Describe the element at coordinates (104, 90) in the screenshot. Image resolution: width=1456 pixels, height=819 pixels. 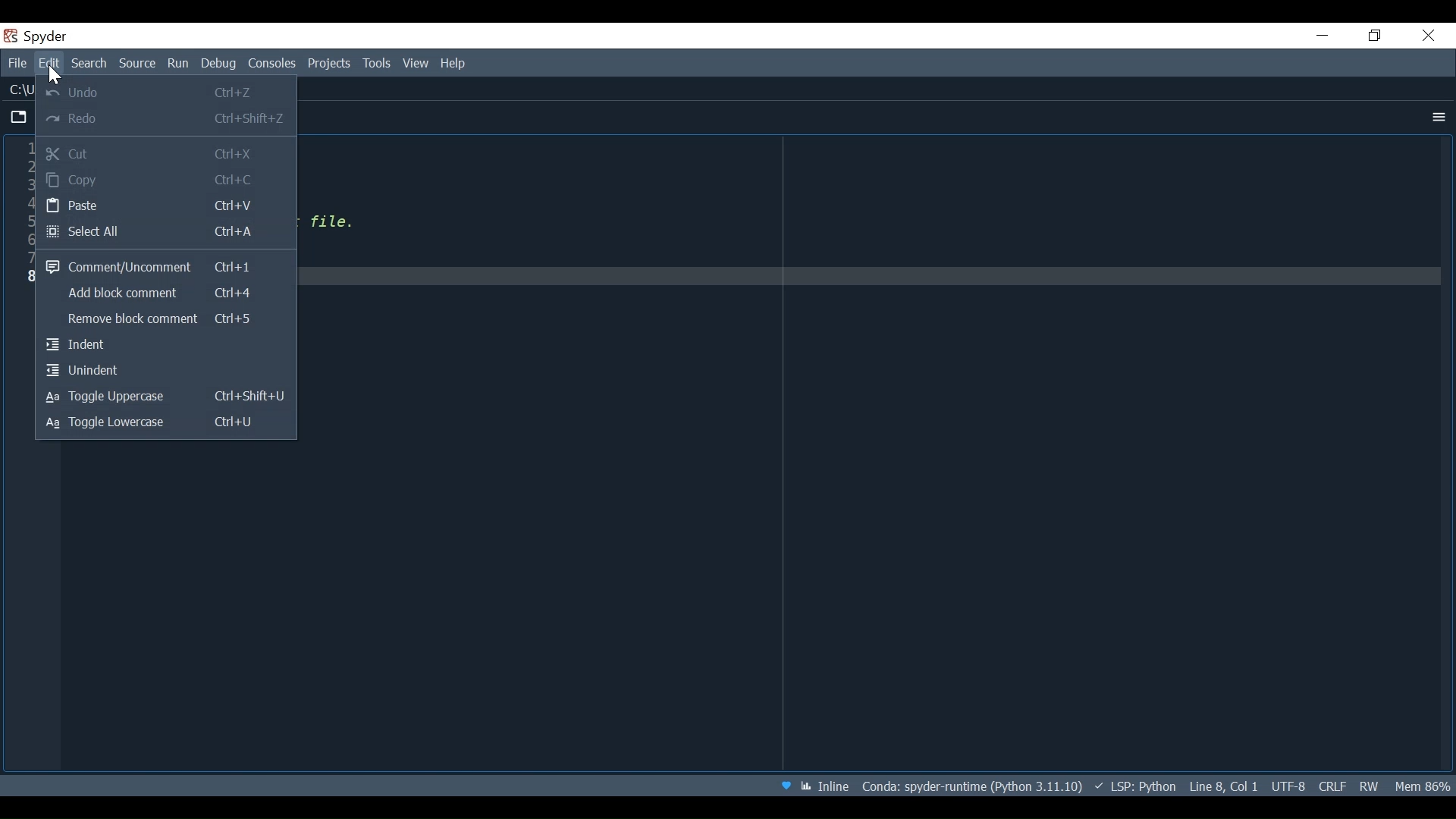
I see `Undo` at that location.